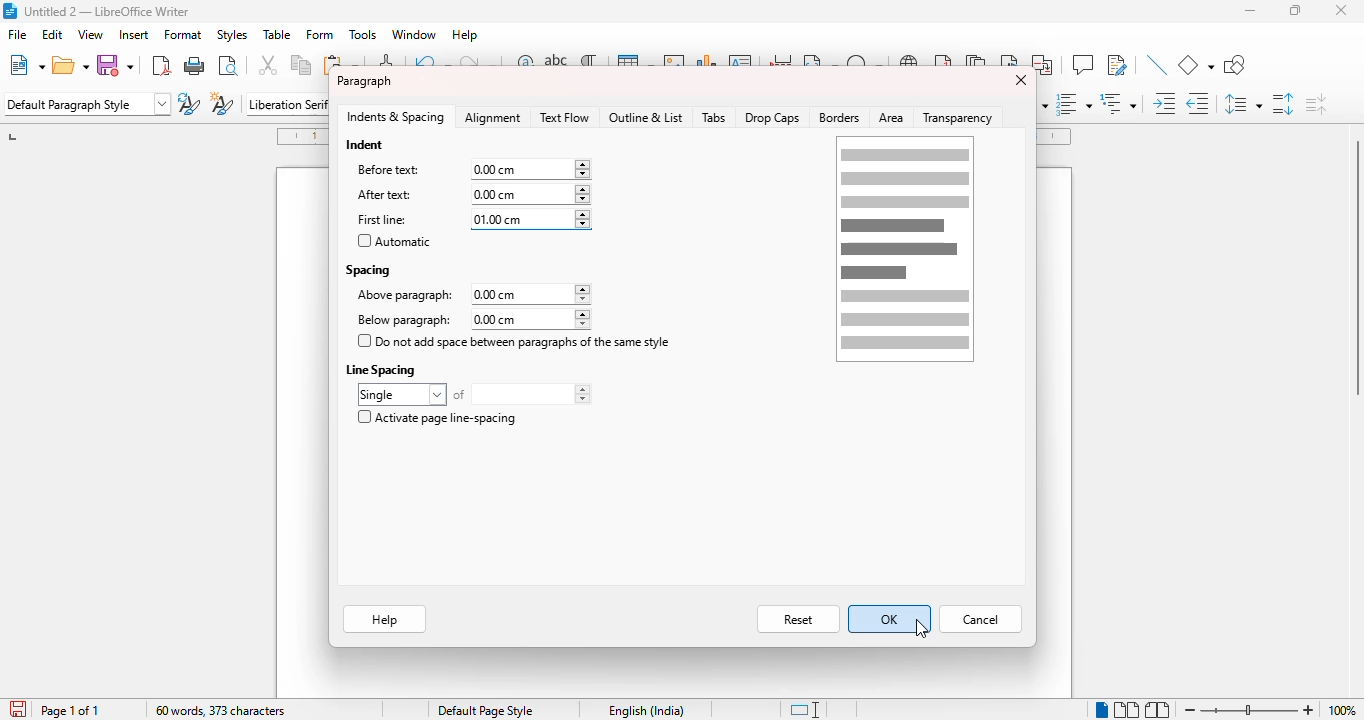  What do you see at coordinates (840, 118) in the screenshot?
I see `borders` at bounding box center [840, 118].